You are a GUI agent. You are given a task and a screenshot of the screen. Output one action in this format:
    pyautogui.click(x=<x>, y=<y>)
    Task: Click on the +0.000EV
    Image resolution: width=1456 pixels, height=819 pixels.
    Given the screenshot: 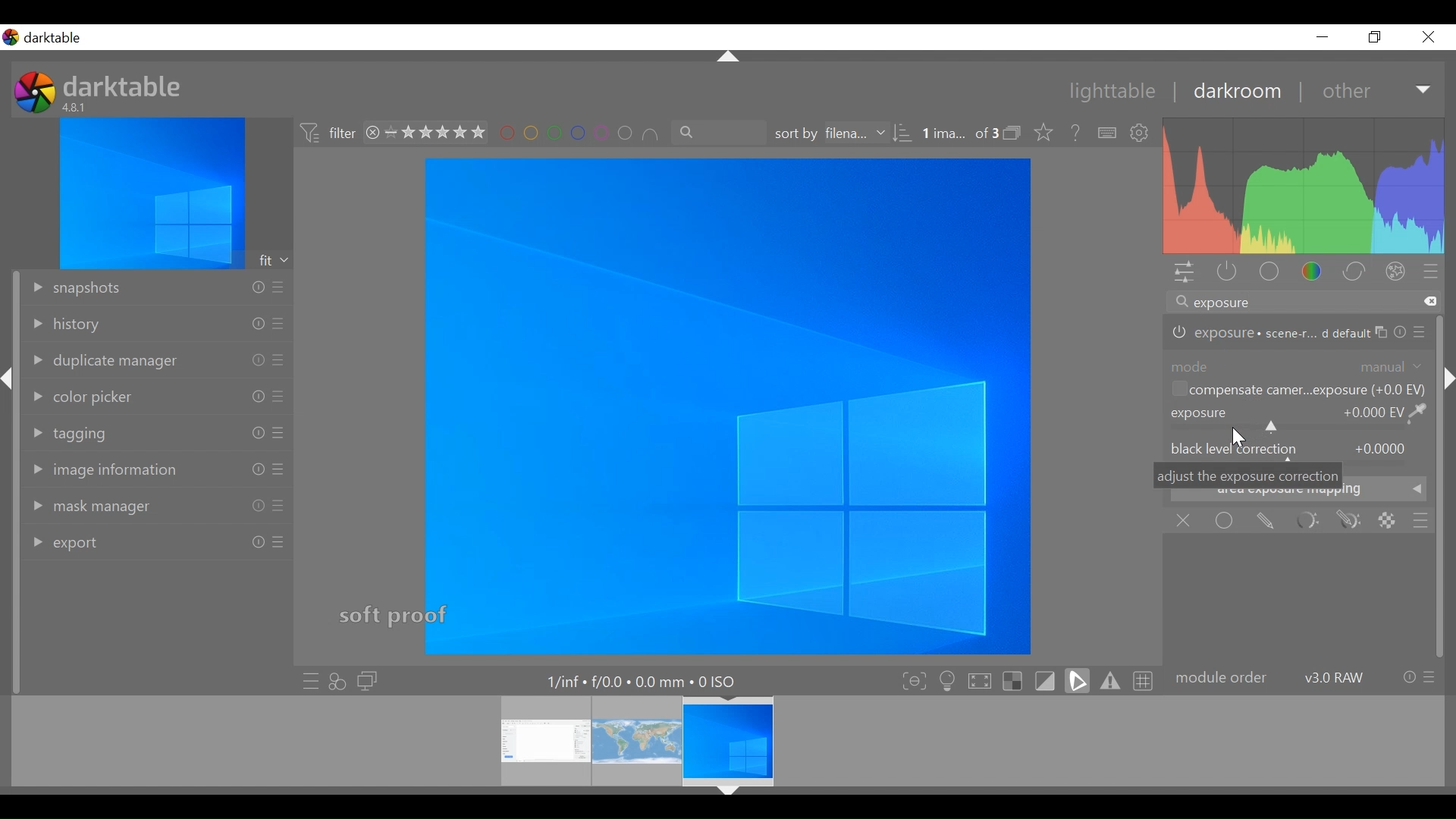 What is the action you would take?
    pyautogui.click(x=1387, y=412)
    